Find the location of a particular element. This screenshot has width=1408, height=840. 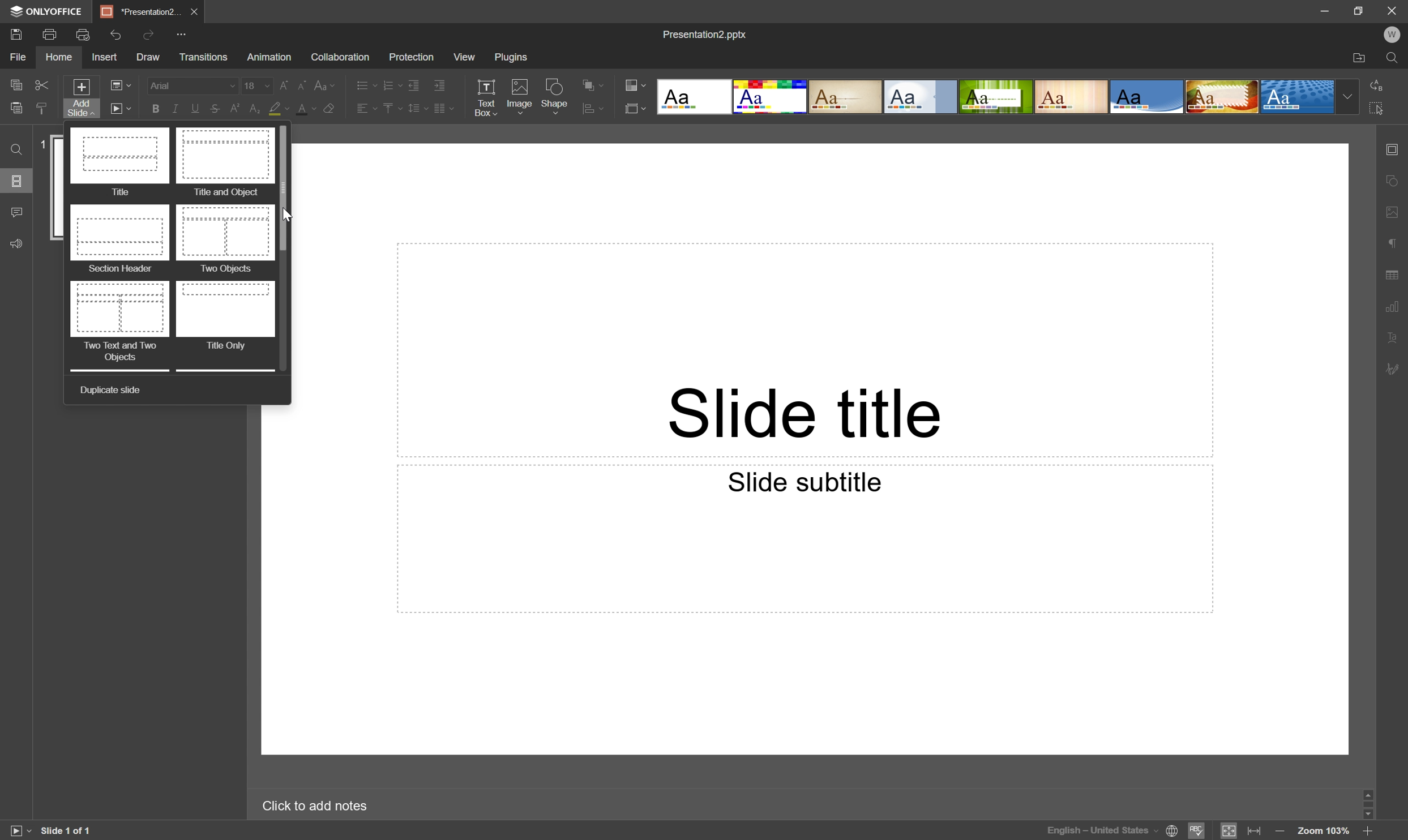

Shape settings is located at coordinates (1395, 179).